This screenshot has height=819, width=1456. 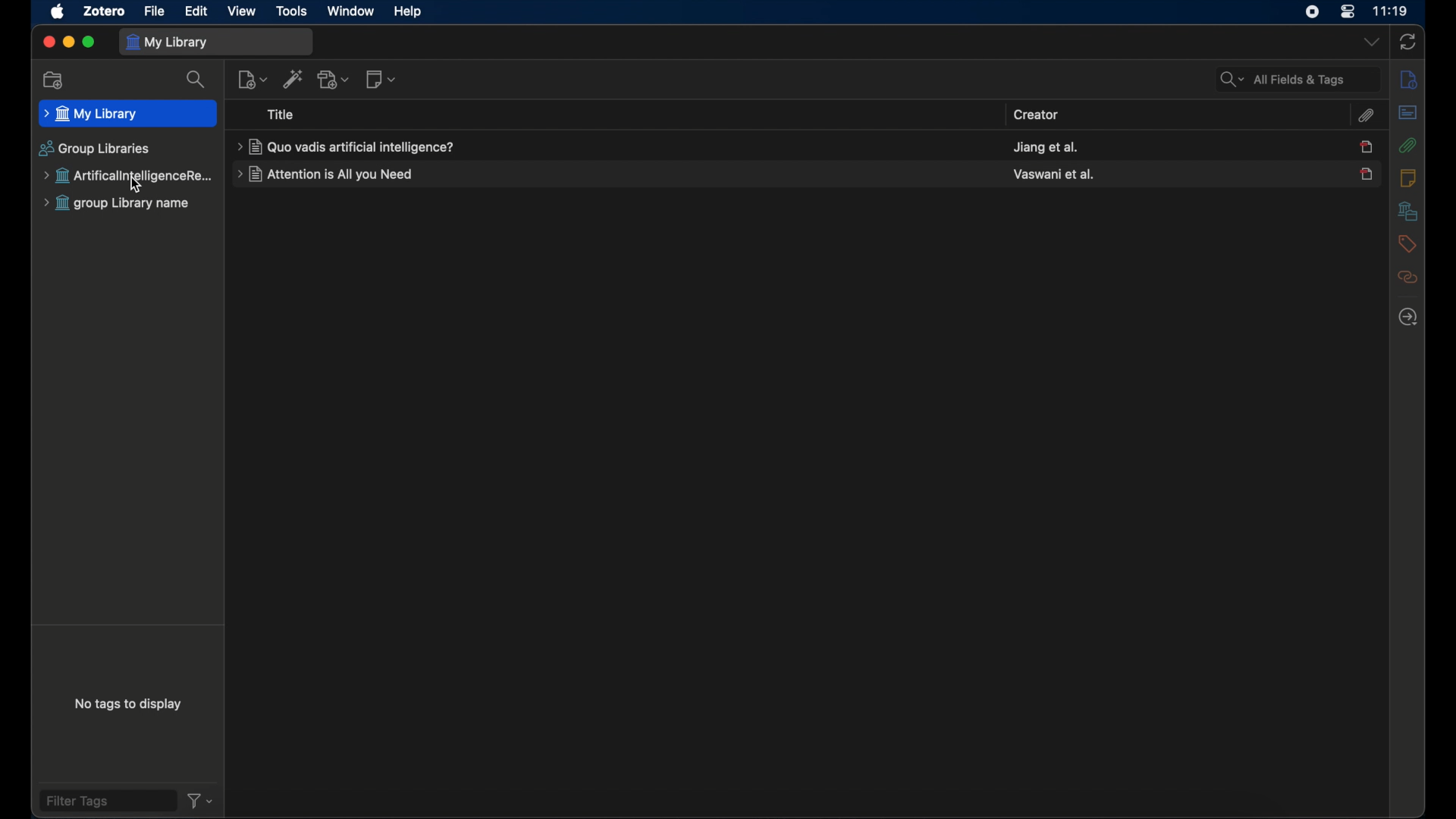 I want to click on cursor, so click(x=140, y=186).